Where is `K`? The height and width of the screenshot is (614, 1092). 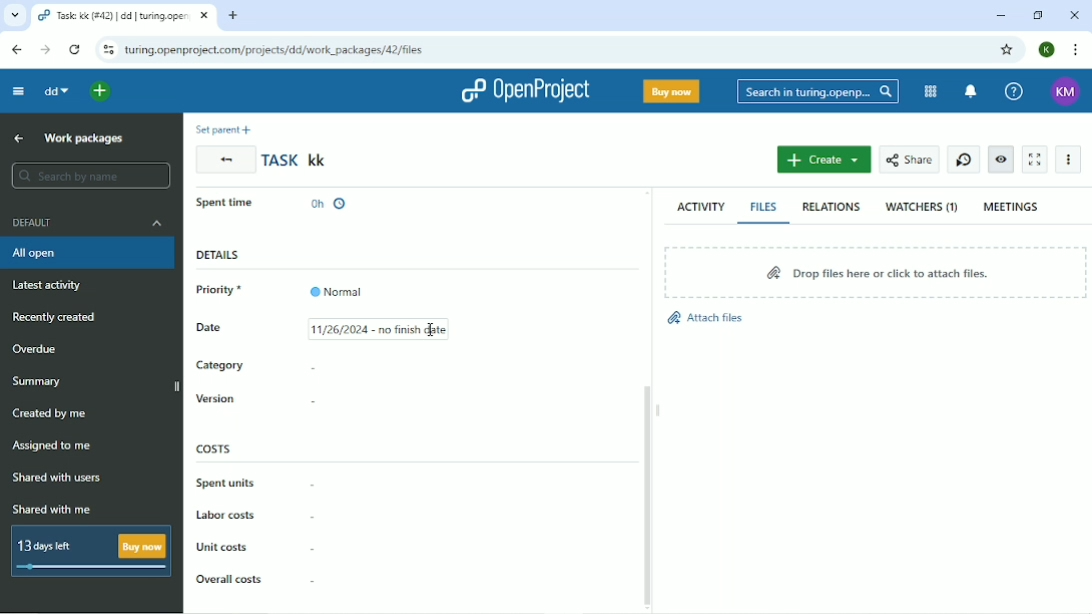 K is located at coordinates (1048, 49).